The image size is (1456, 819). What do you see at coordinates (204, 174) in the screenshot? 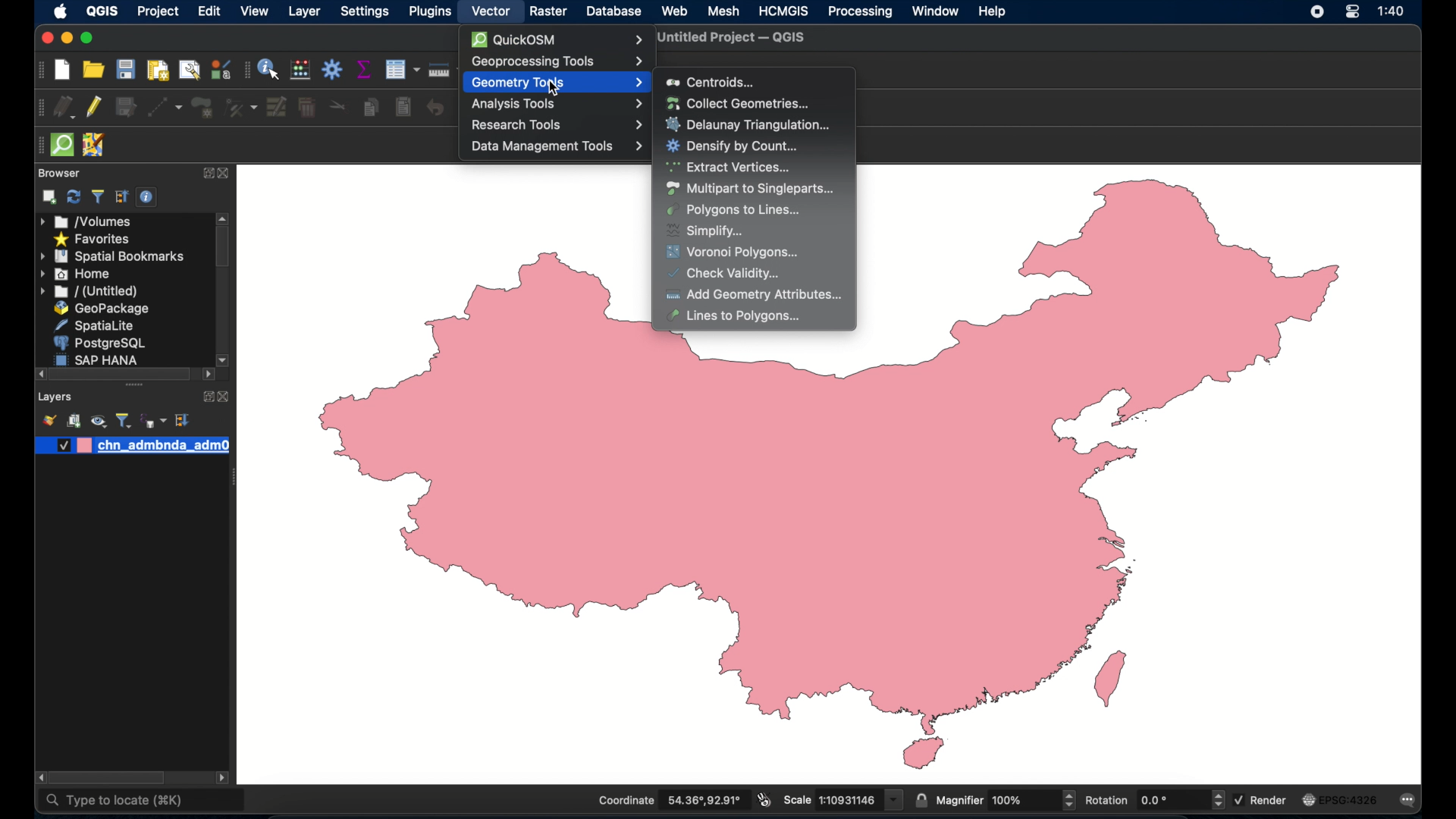
I see `expand` at bounding box center [204, 174].